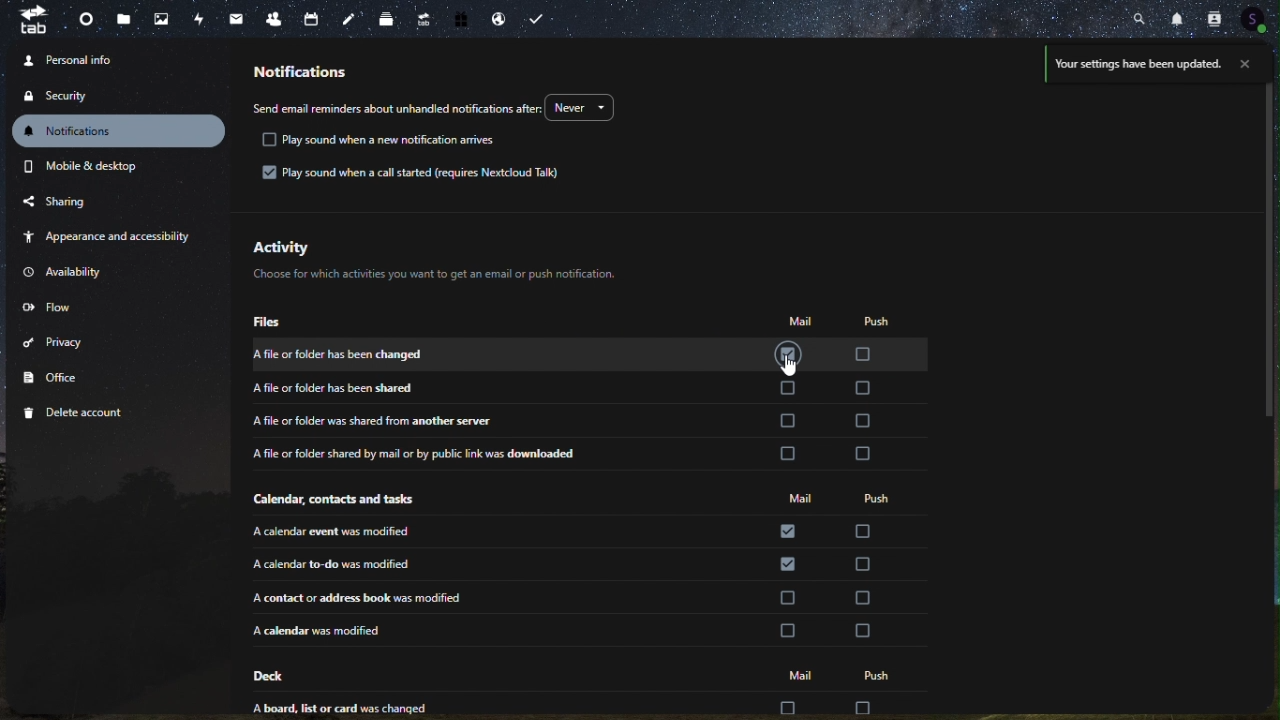 This screenshot has height=720, width=1280. I want to click on free trial, so click(461, 19).